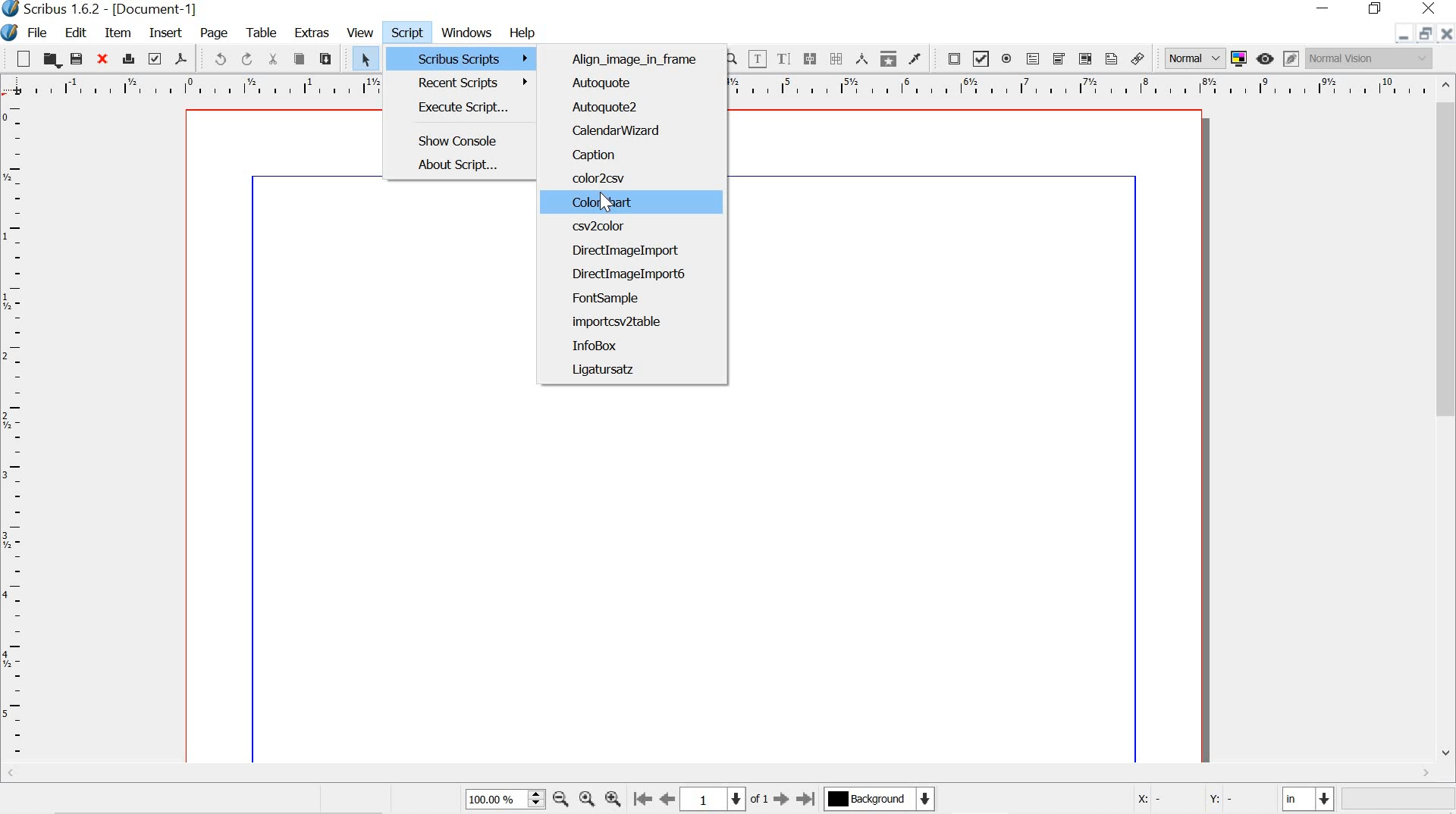 Image resolution: width=1456 pixels, height=814 pixels. Describe the element at coordinates (466, 32) in the screenshot. I see `windows` at that location.